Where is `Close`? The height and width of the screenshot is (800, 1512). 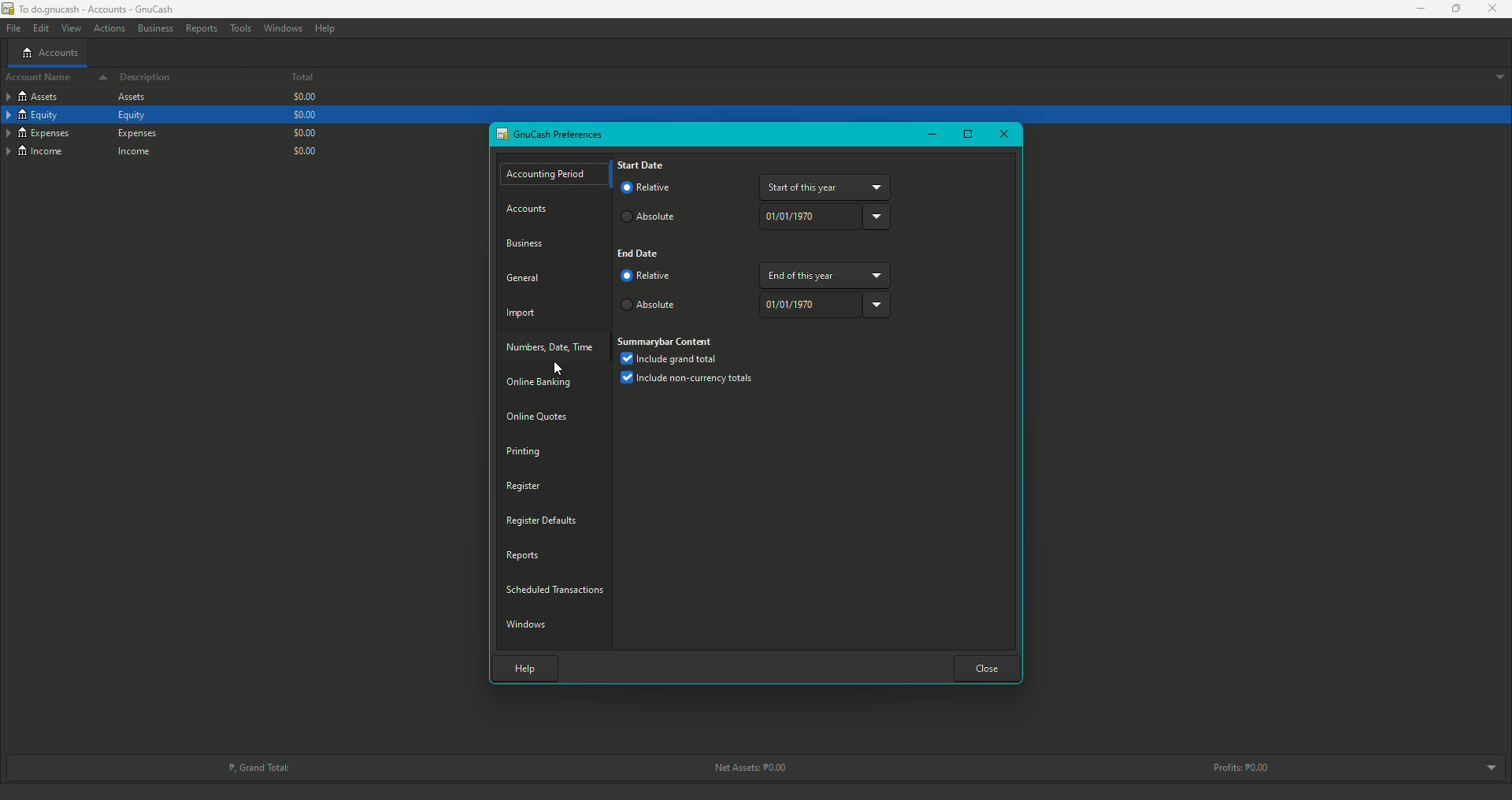
Close is located at coordinates (1496, 9).